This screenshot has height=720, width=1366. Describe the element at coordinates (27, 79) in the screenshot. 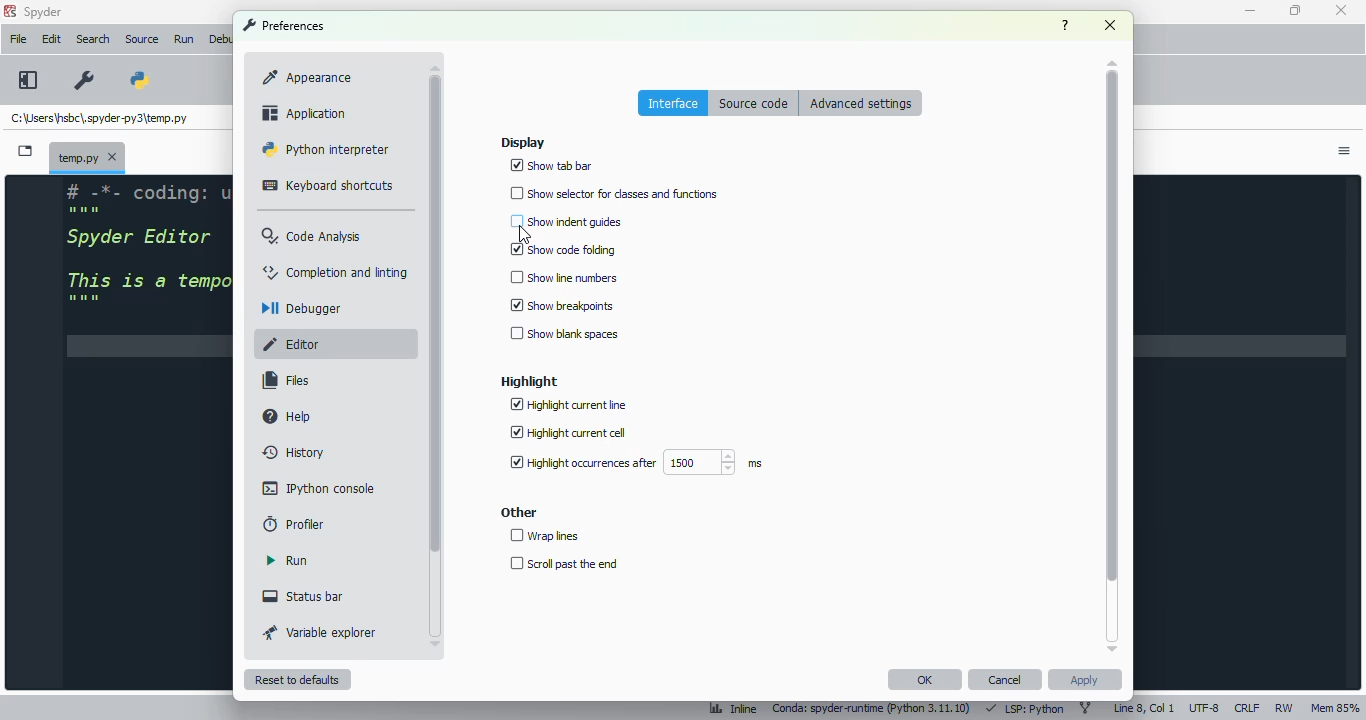

I see `maximize current pane` at that location.